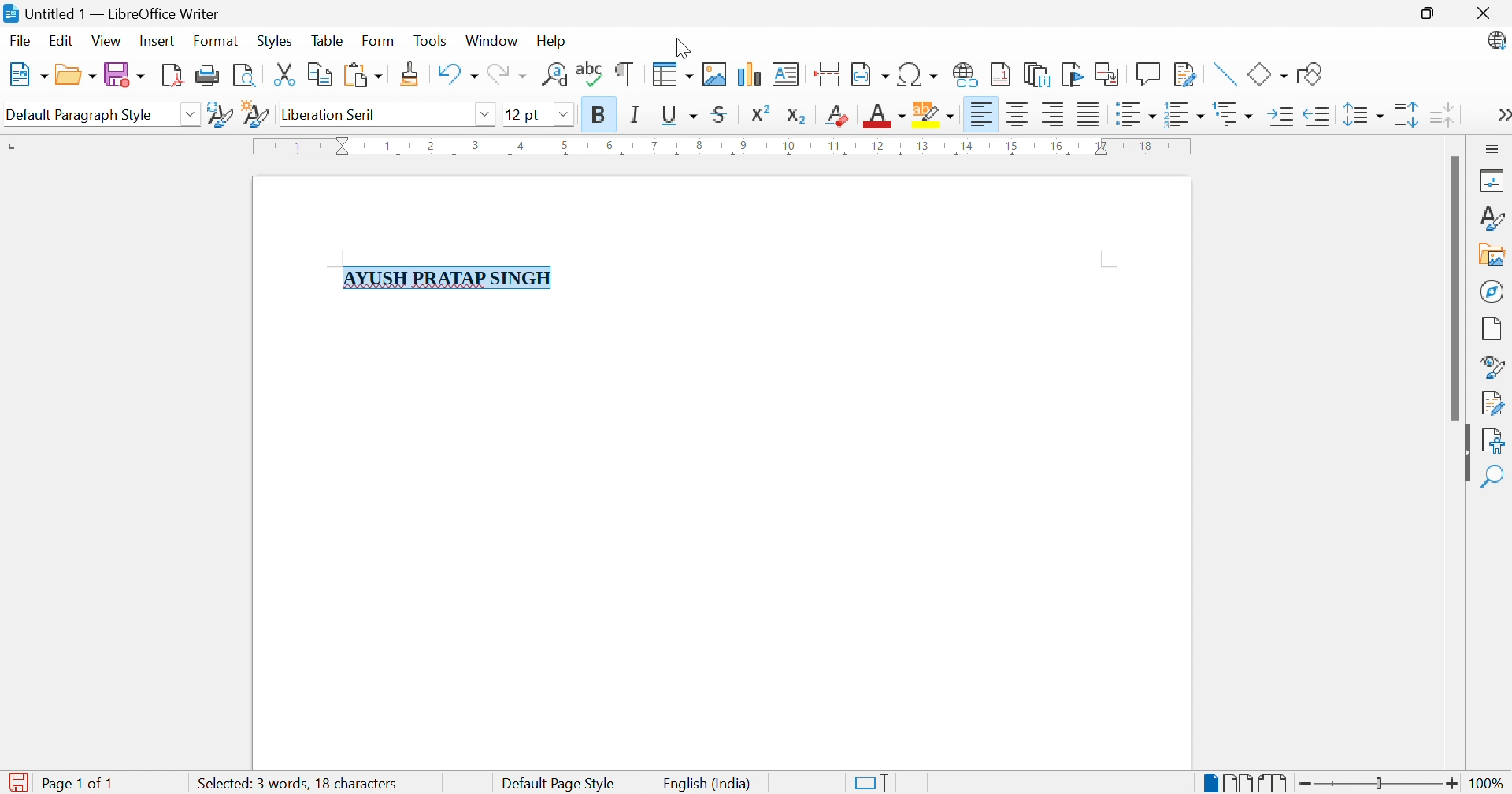 This screenshot has height=794, width=1512. Describe the element at coordinates (935, 116) in the screenshot. I see `Character Highlighting Color` at that location.